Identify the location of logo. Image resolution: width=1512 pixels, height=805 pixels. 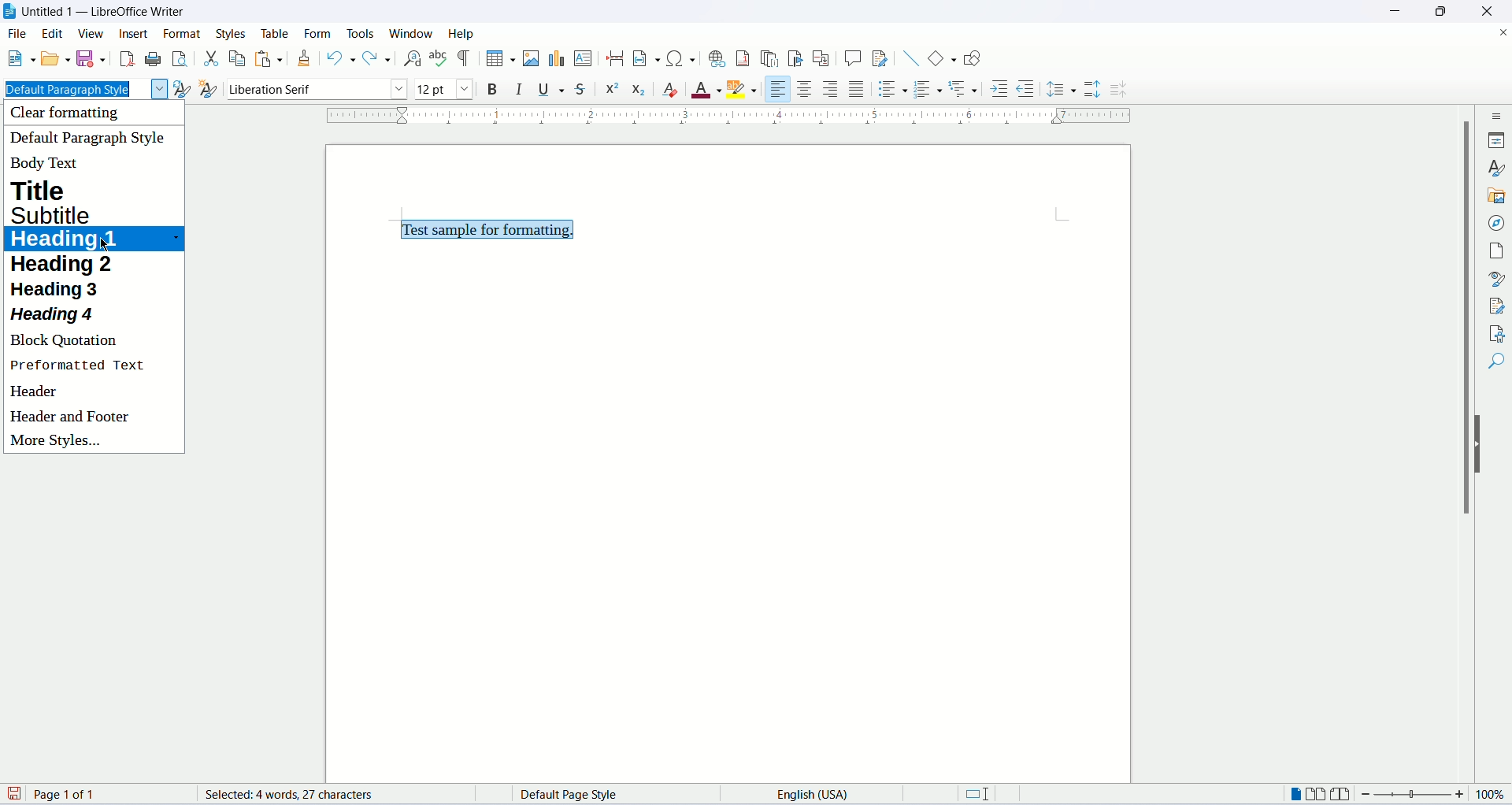
(11, 13).